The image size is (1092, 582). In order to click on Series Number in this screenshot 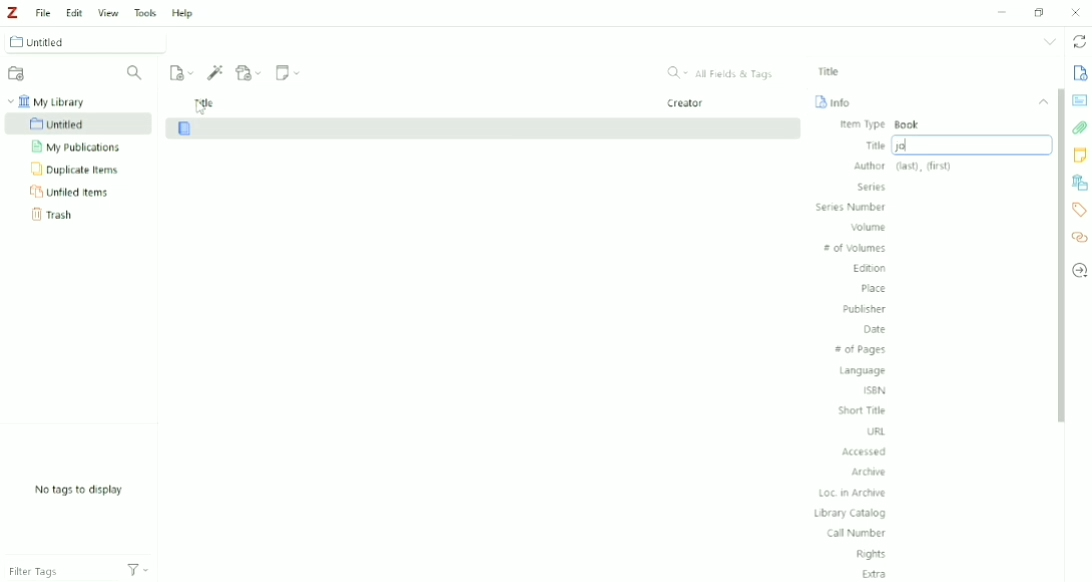, I will do `click(852, 207)`.